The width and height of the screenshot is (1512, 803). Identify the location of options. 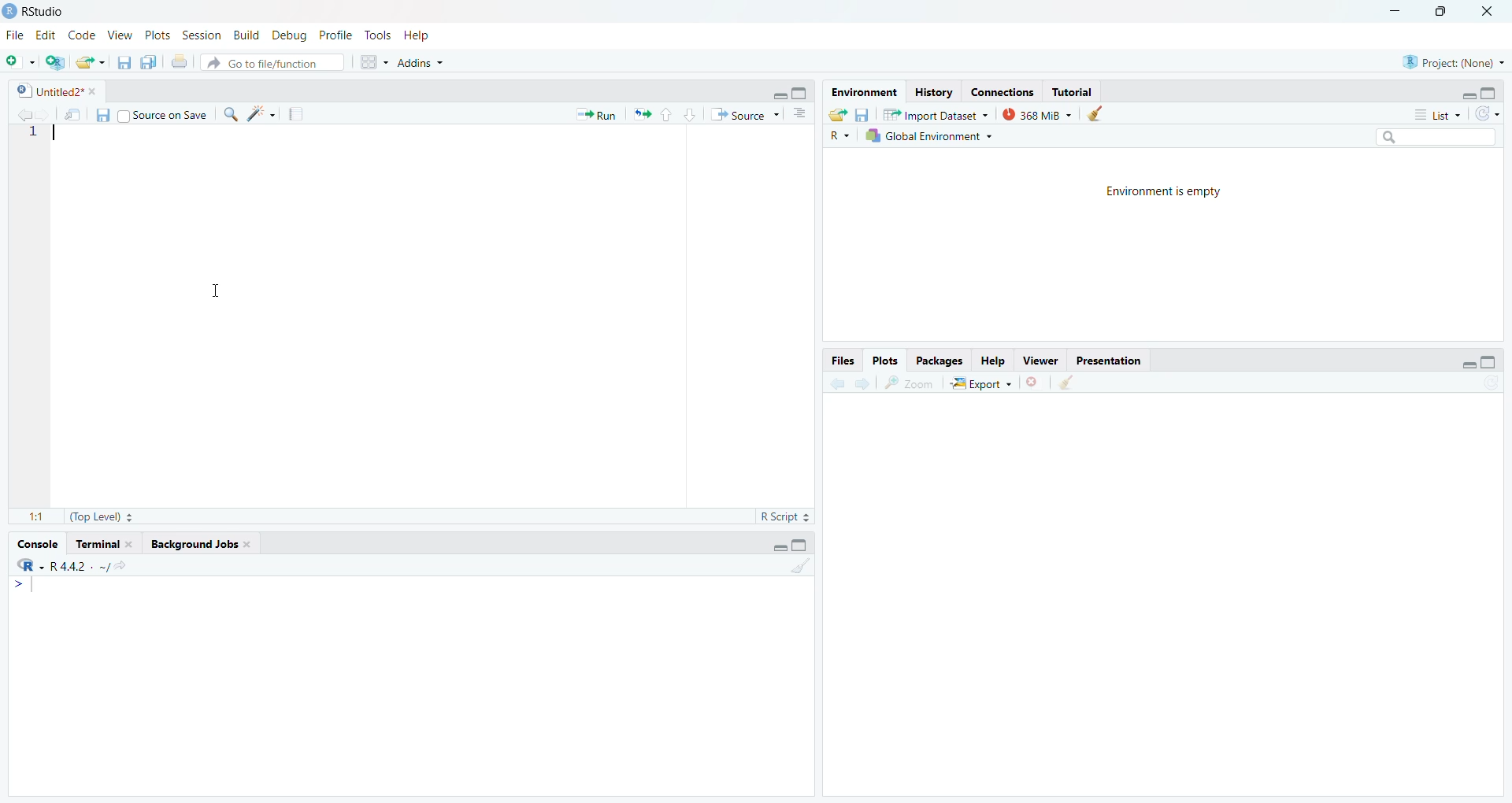
(799, 115).